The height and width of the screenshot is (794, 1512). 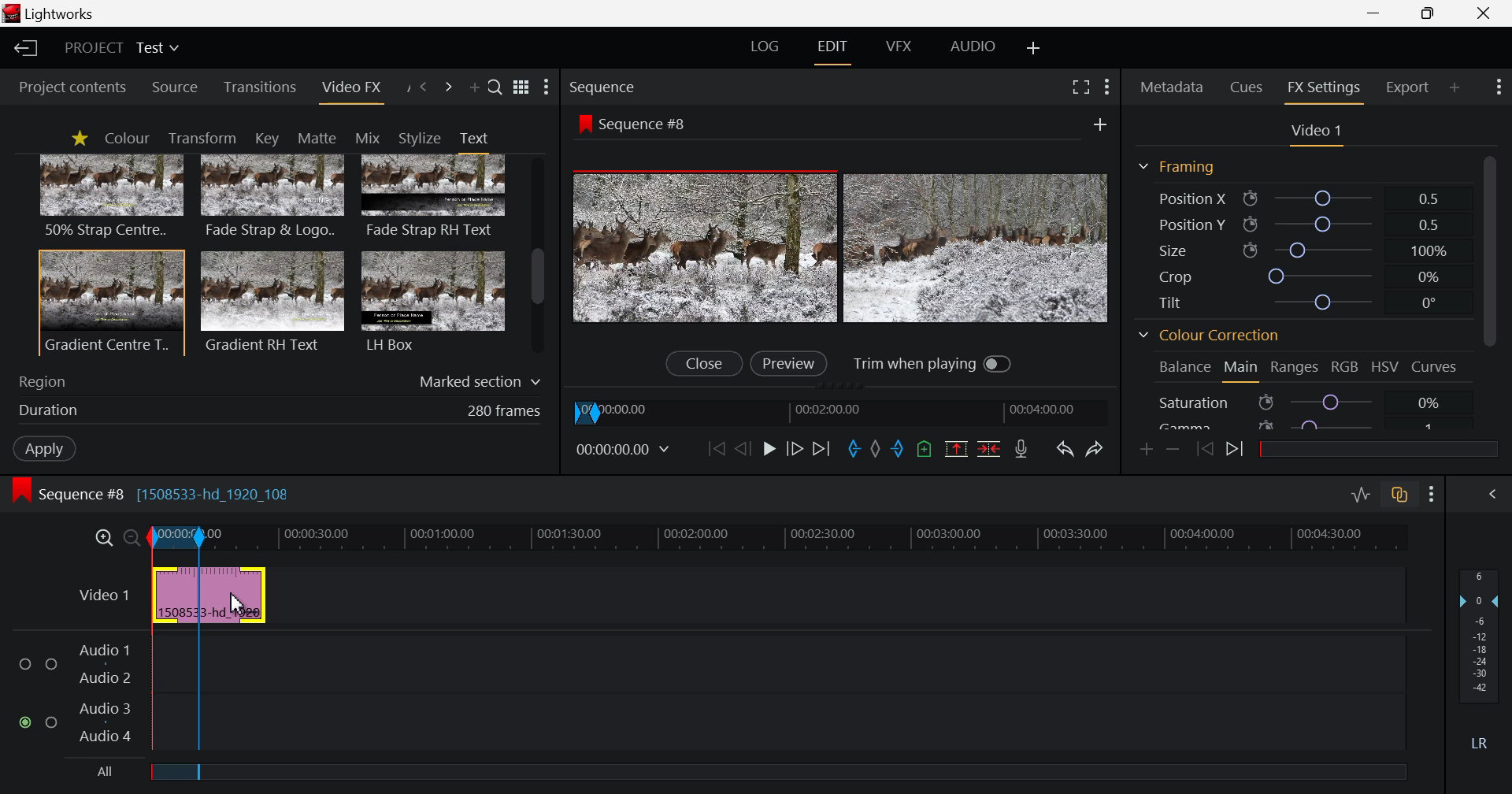 I want to click on Source, so click(x=175, y=88).